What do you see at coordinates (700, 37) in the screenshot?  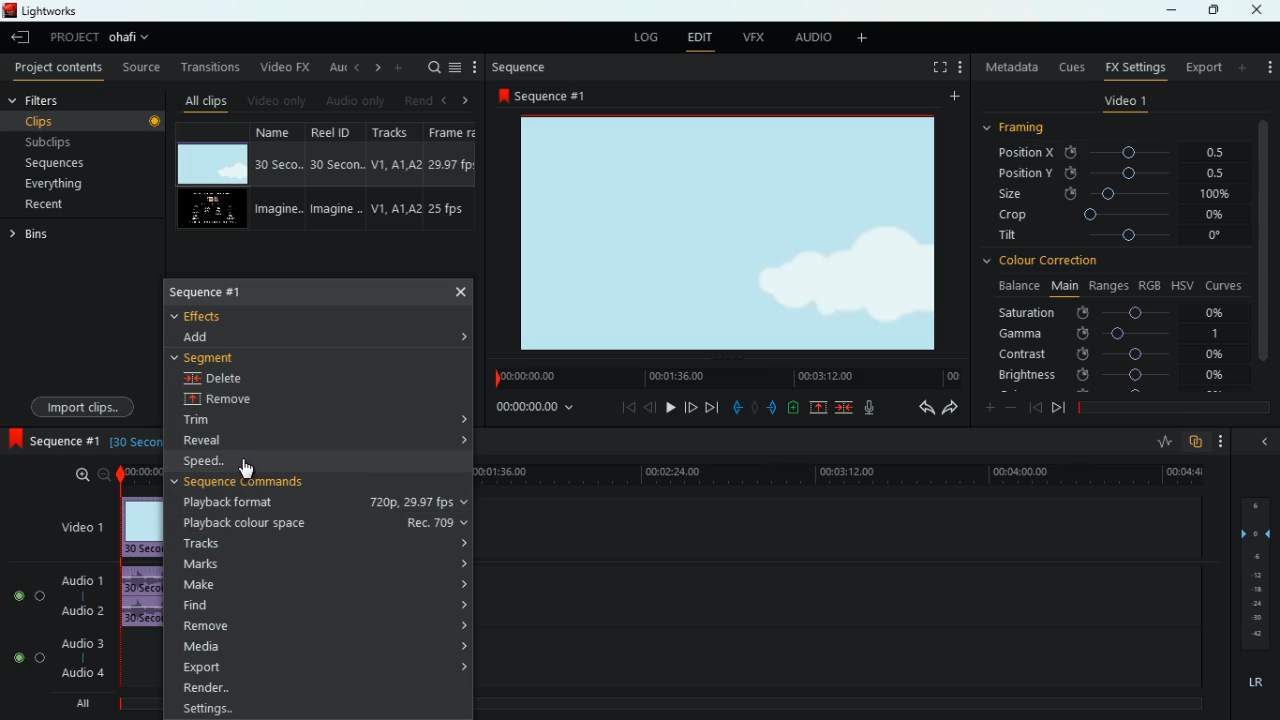 I see `edit` at bounding box center [700, 37].